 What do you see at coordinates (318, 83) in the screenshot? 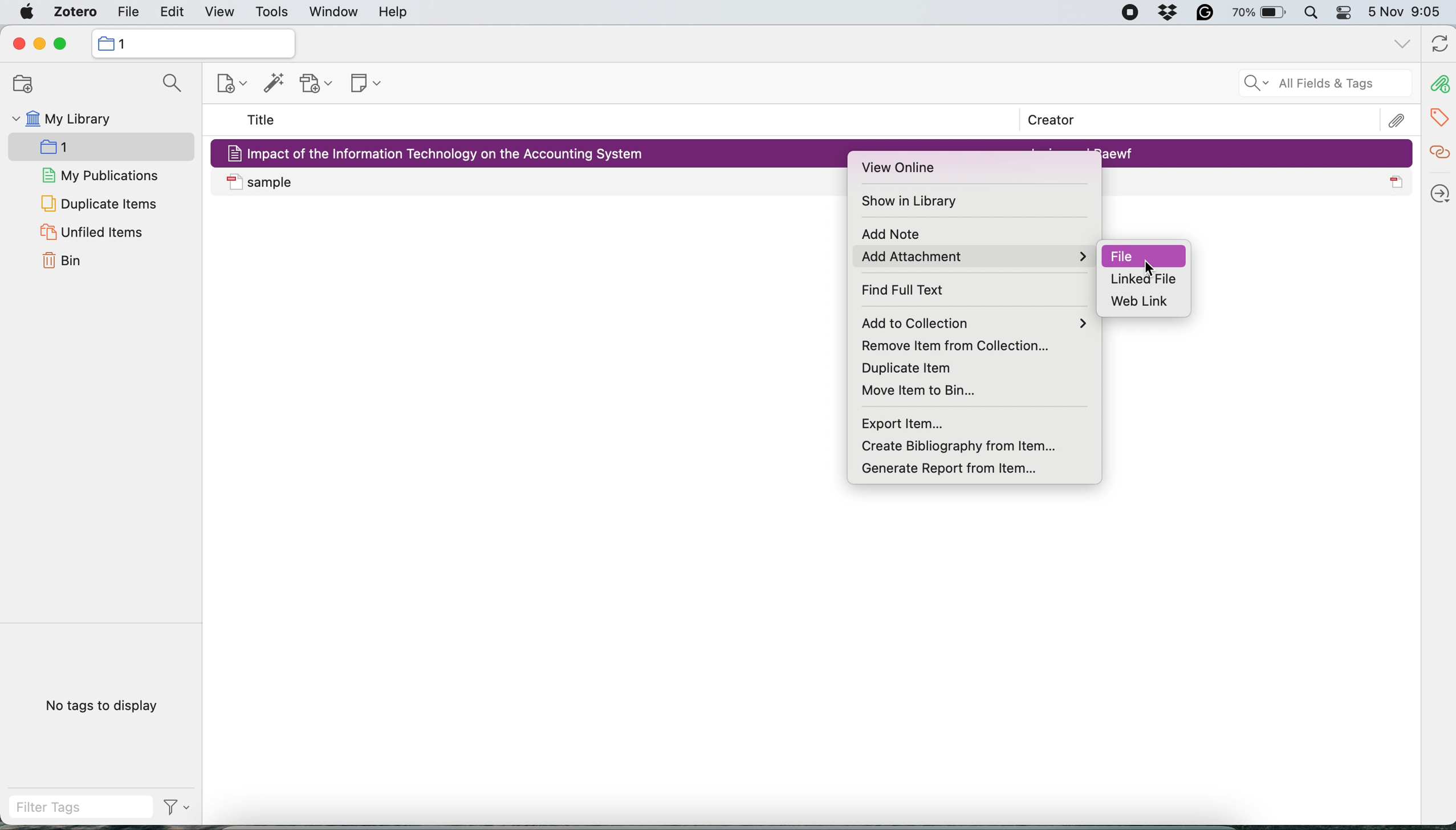
I see `new attachment` at bounding box center [318, 83].